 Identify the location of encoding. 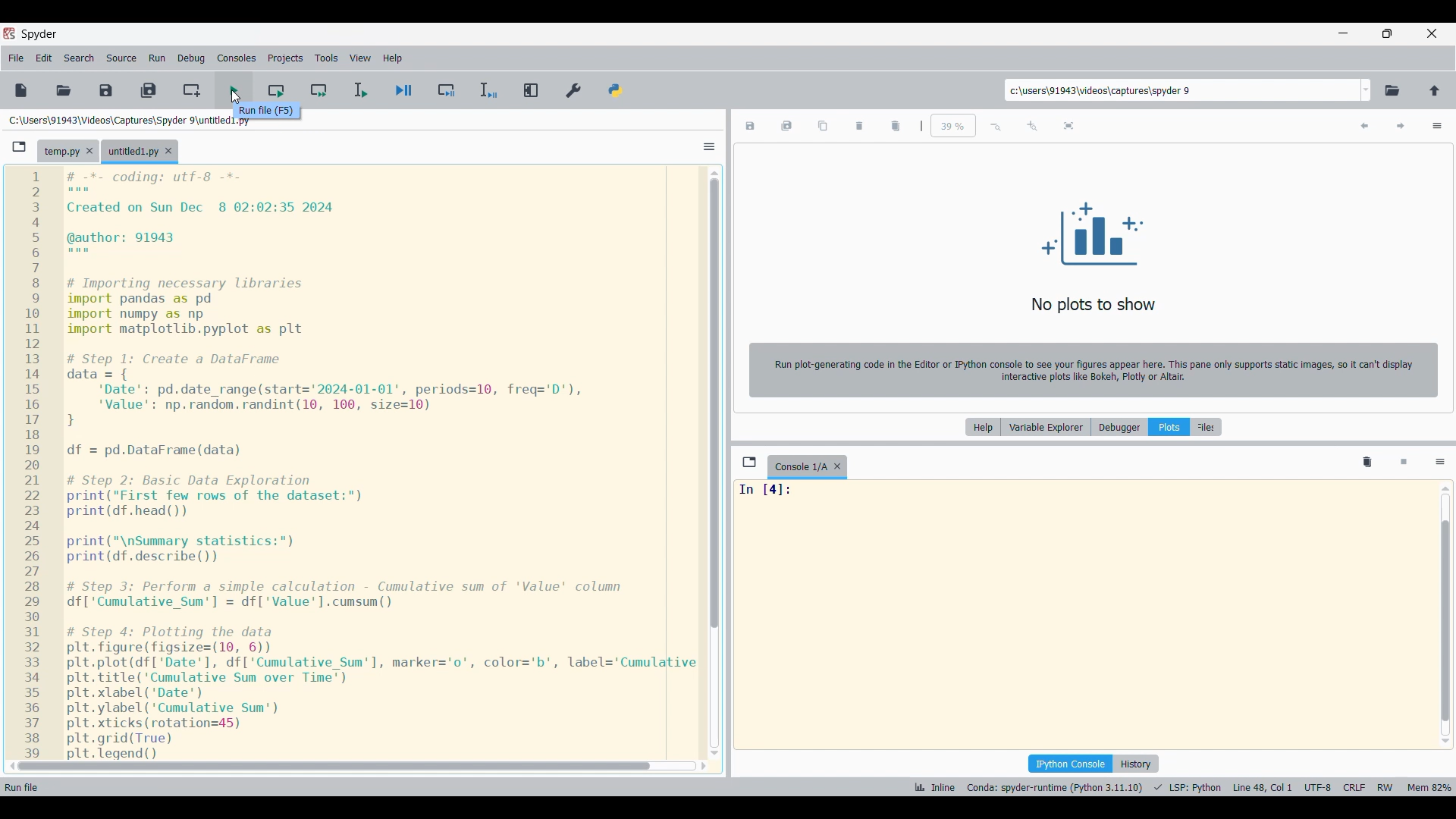
(1314, 786).